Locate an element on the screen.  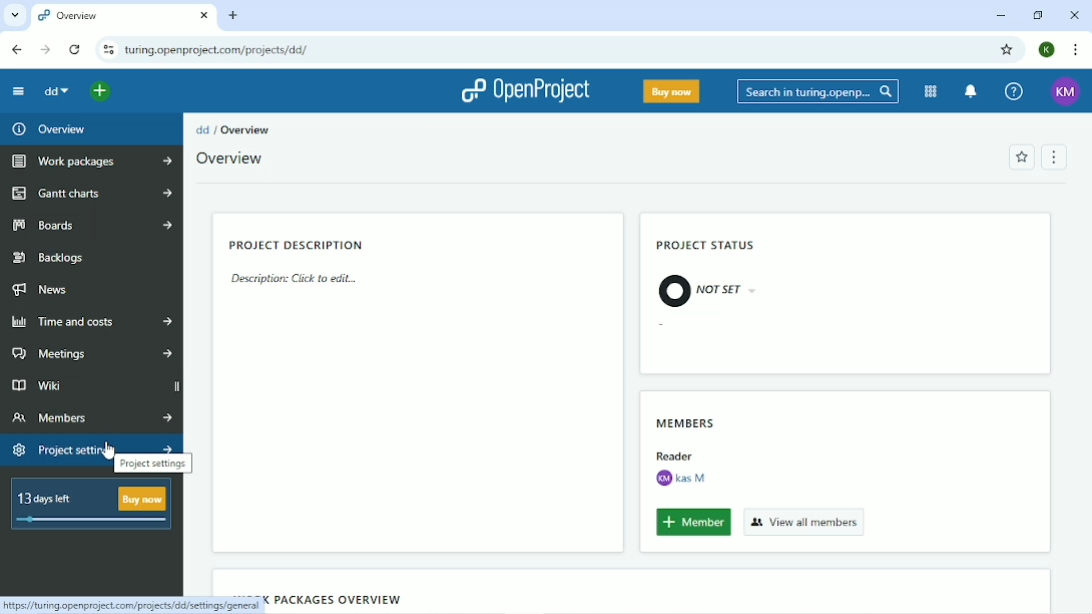
dd is located at coordinates (55, 91).